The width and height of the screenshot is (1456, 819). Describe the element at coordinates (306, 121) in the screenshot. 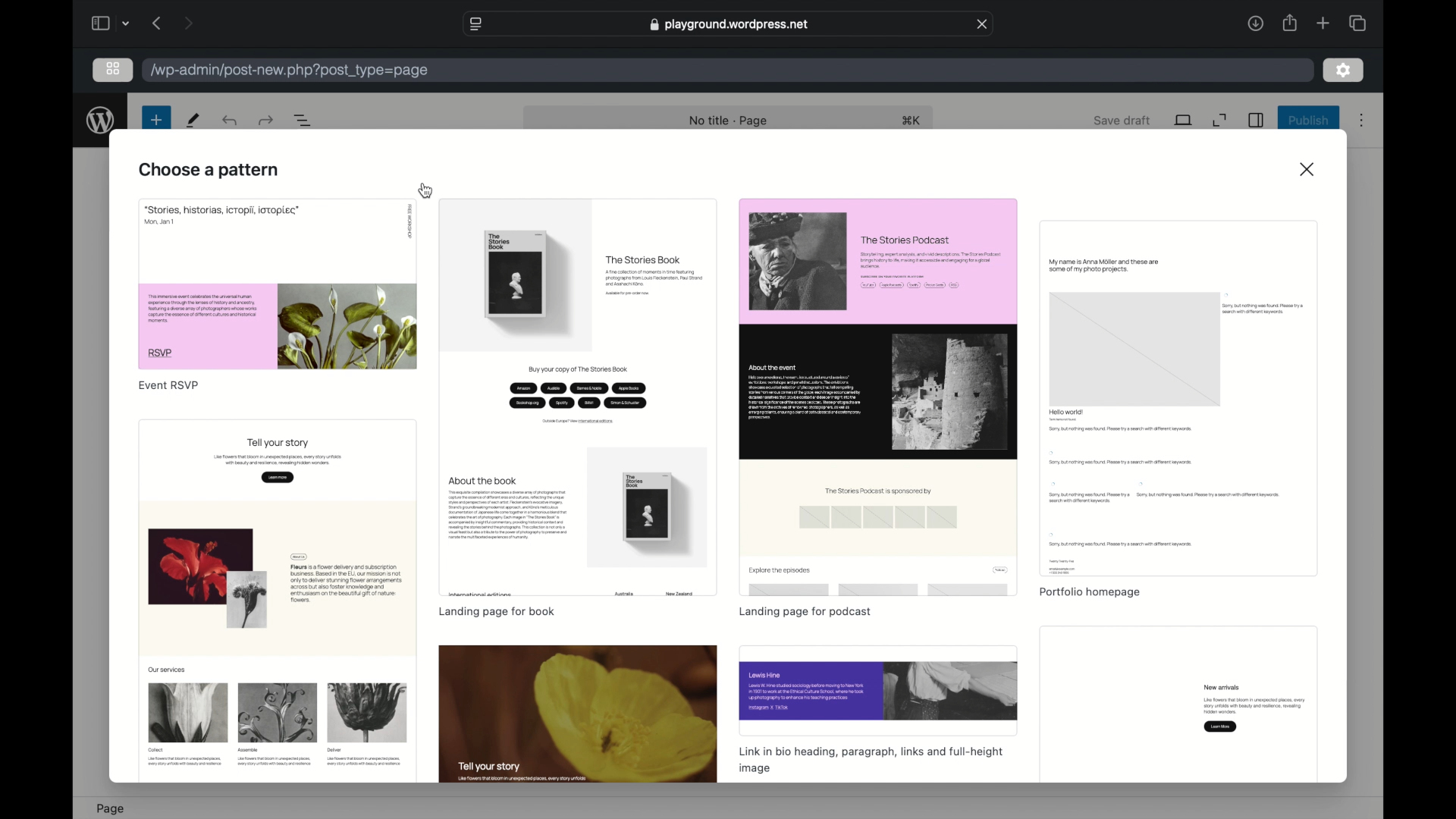

I see `document overview` at that location.